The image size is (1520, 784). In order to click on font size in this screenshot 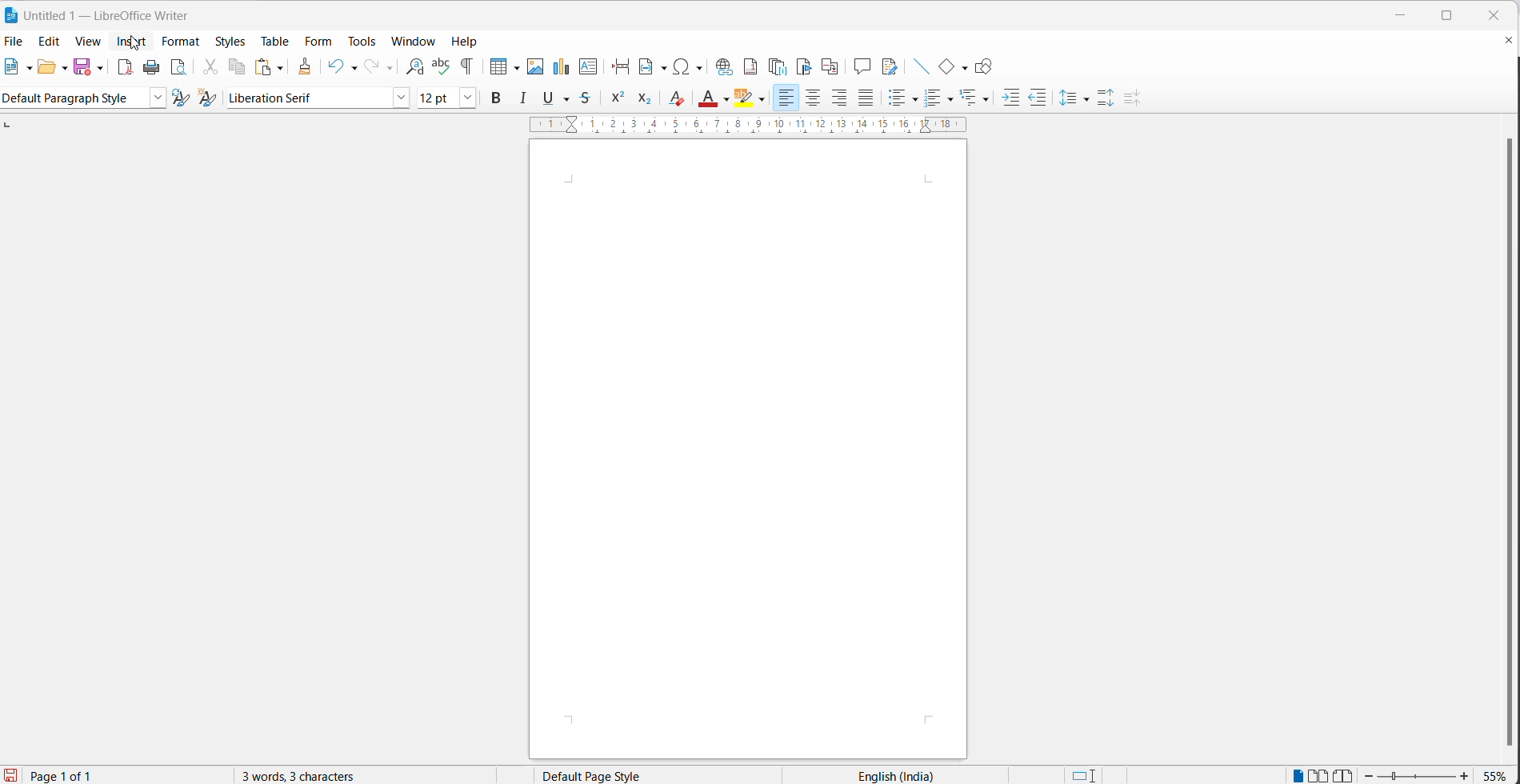, I will do `click(437, 98)`.